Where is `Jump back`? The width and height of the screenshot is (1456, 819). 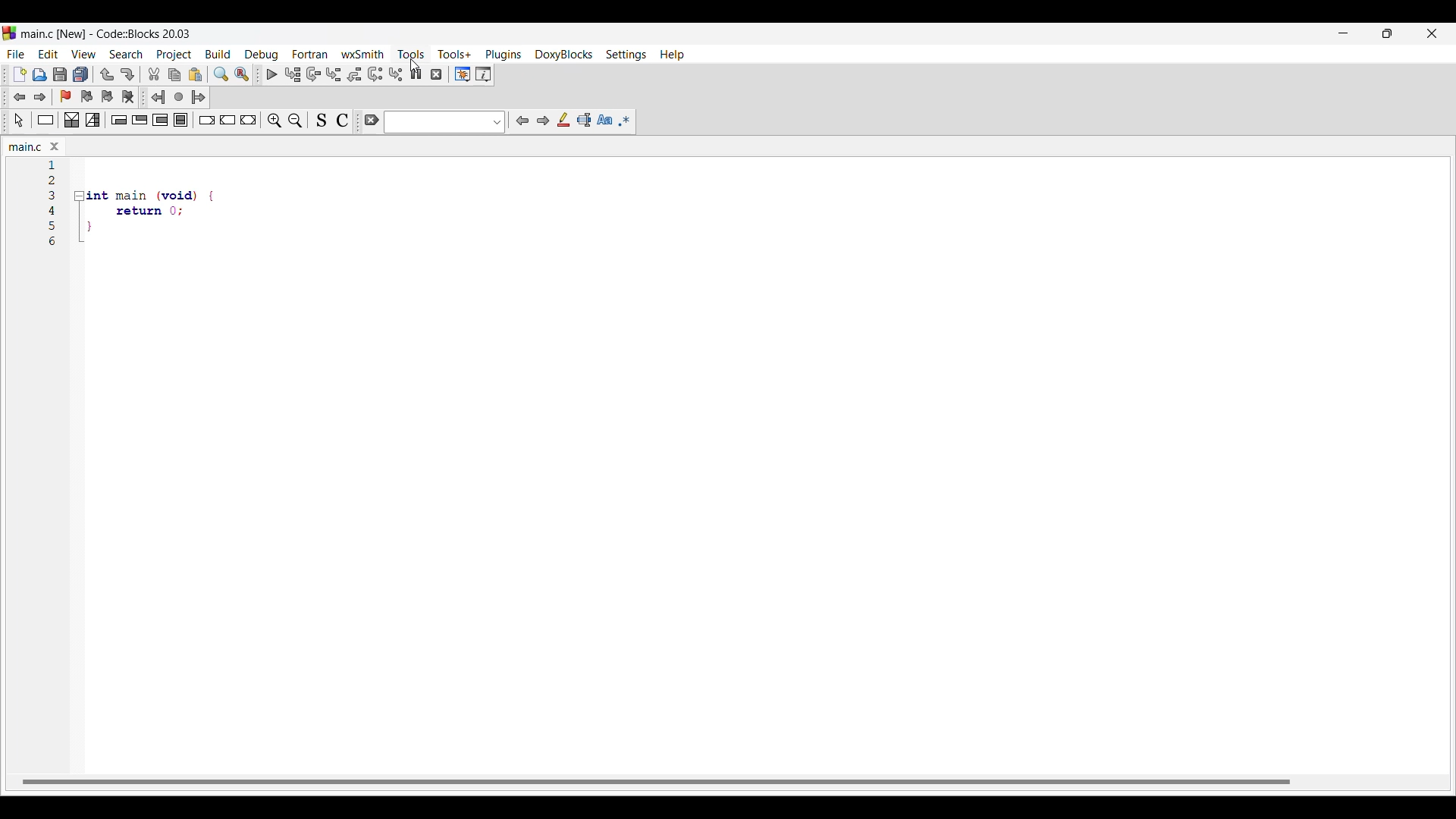 Jump back is located at coordinates (20, 97).